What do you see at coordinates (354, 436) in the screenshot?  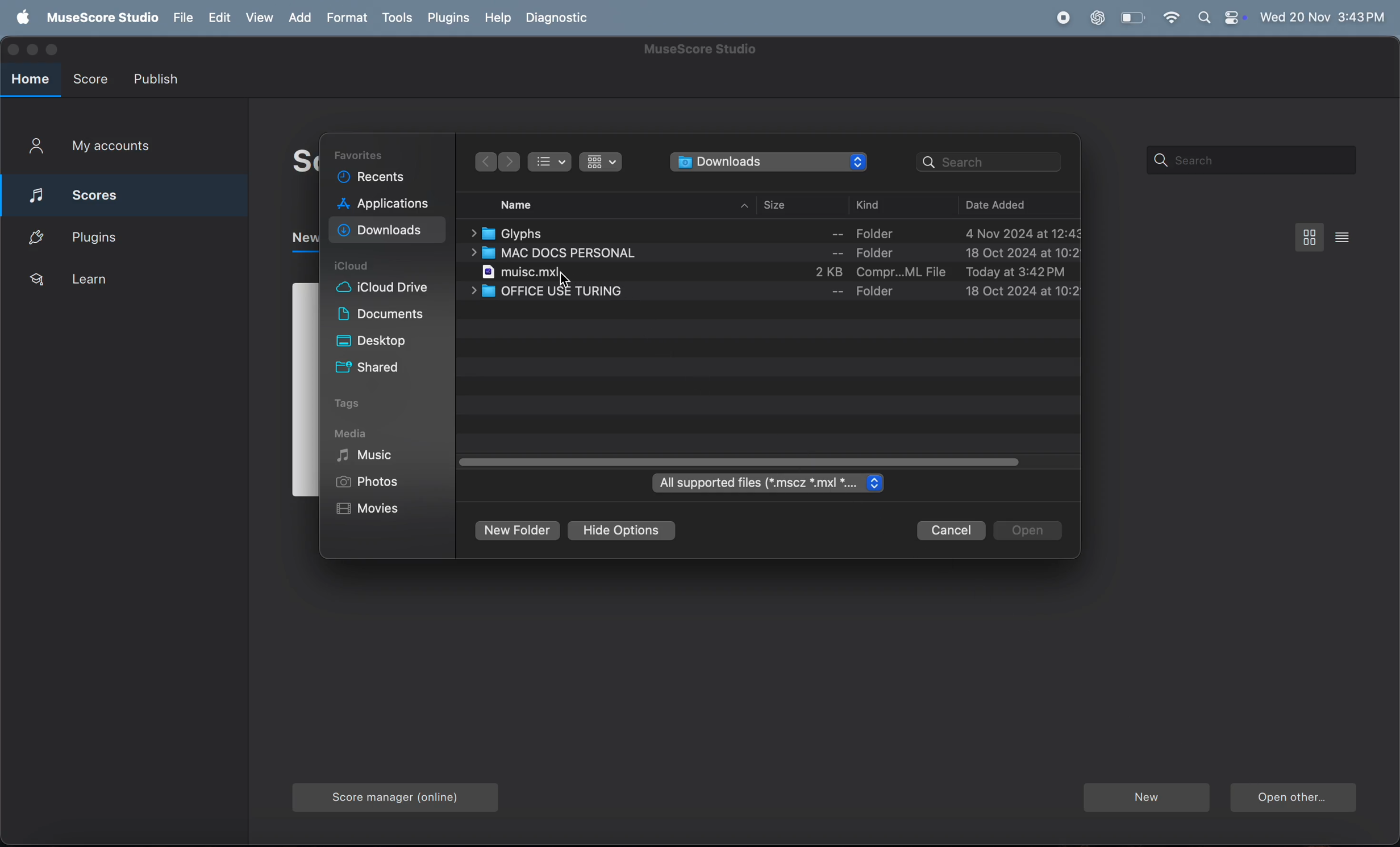 I see `media` at bounding box center [354, 436].